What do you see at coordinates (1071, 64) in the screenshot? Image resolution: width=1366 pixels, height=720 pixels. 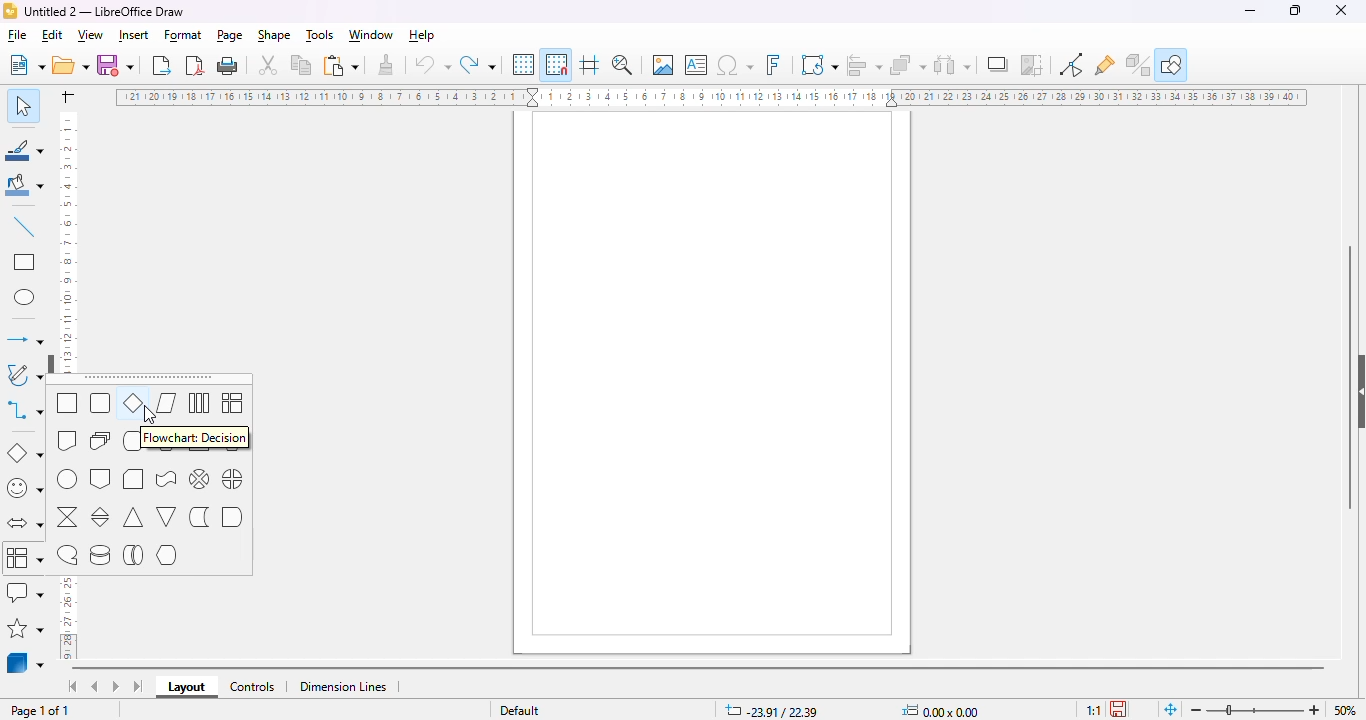 I see `toggle point edit mode` at bounding box center [1071, 64].